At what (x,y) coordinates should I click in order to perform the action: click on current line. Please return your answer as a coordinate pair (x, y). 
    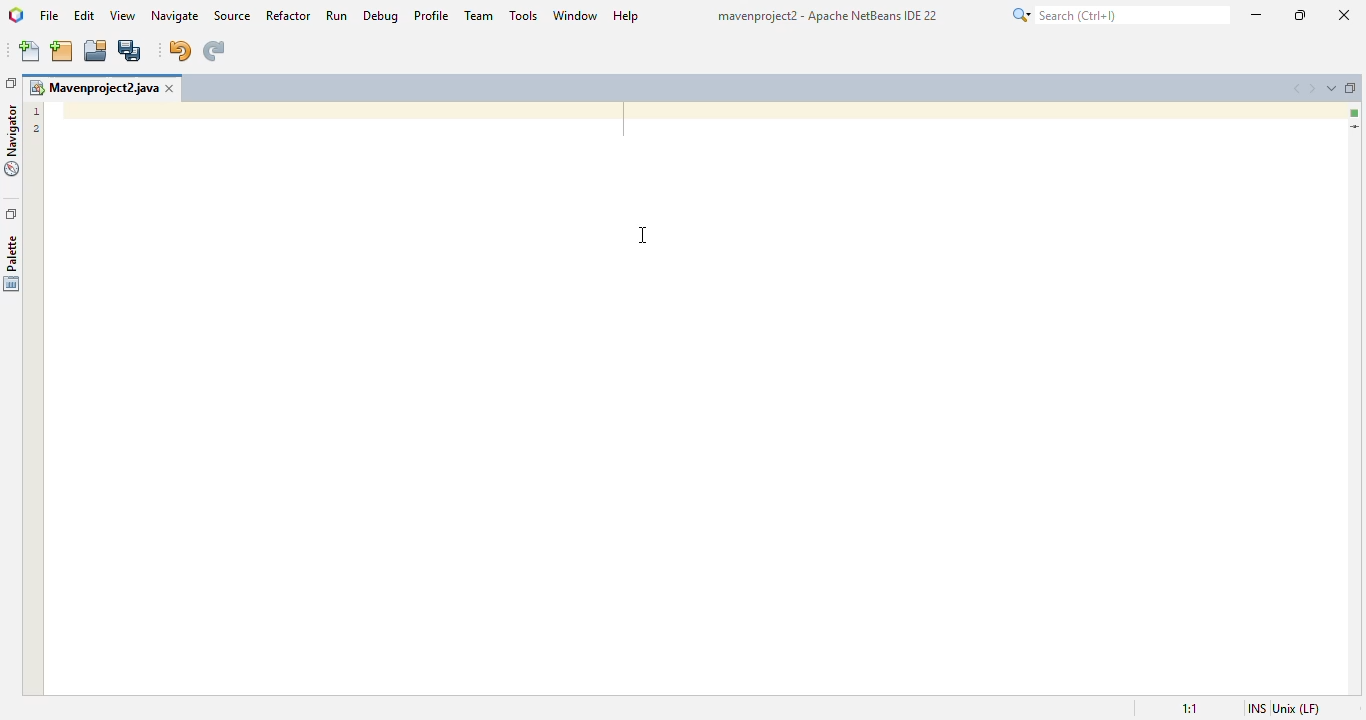
    Looking at the image, I should click on (1355, 128).